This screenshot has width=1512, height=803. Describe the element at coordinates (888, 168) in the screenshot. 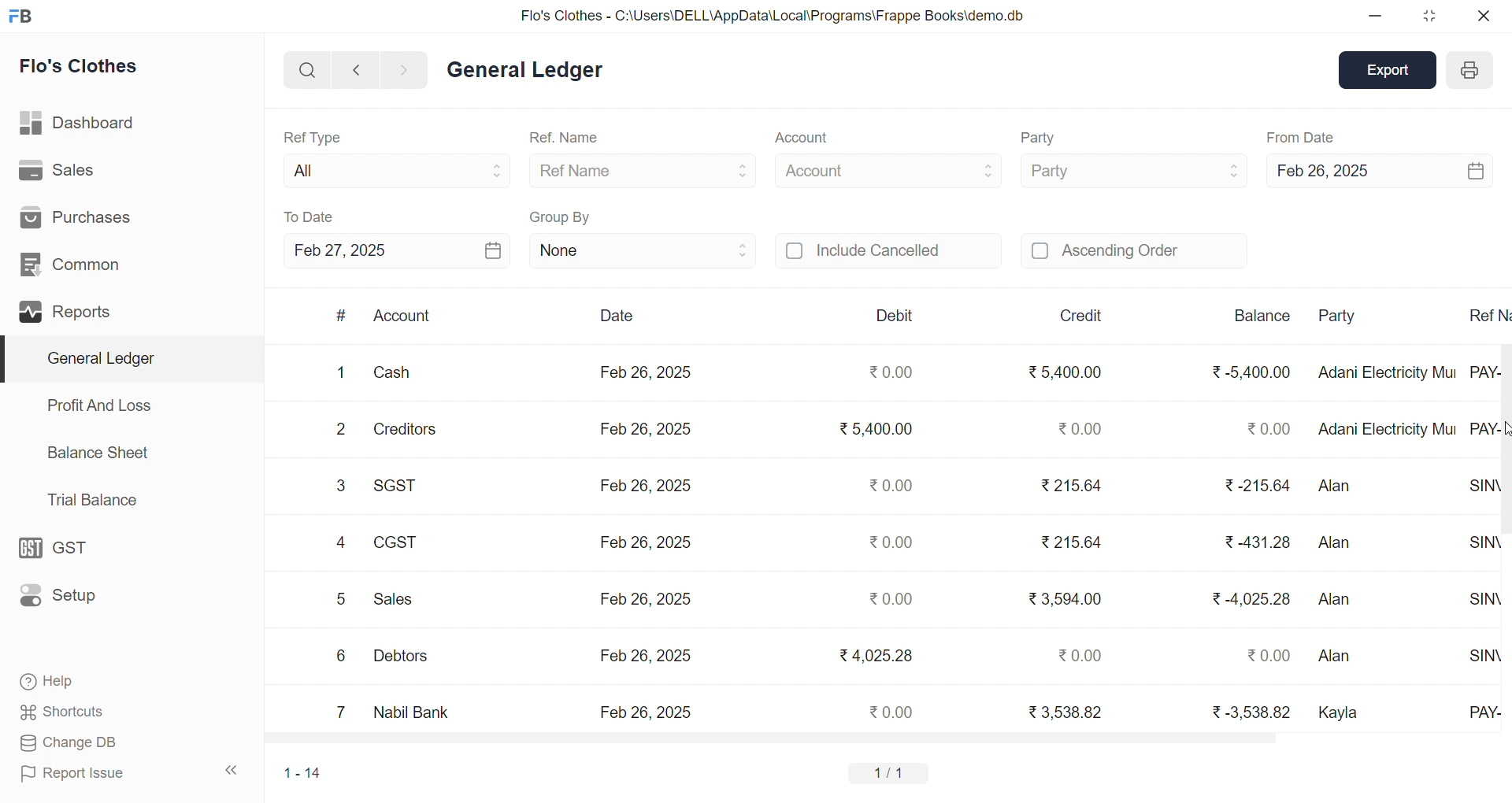

I see `Account` at that location.